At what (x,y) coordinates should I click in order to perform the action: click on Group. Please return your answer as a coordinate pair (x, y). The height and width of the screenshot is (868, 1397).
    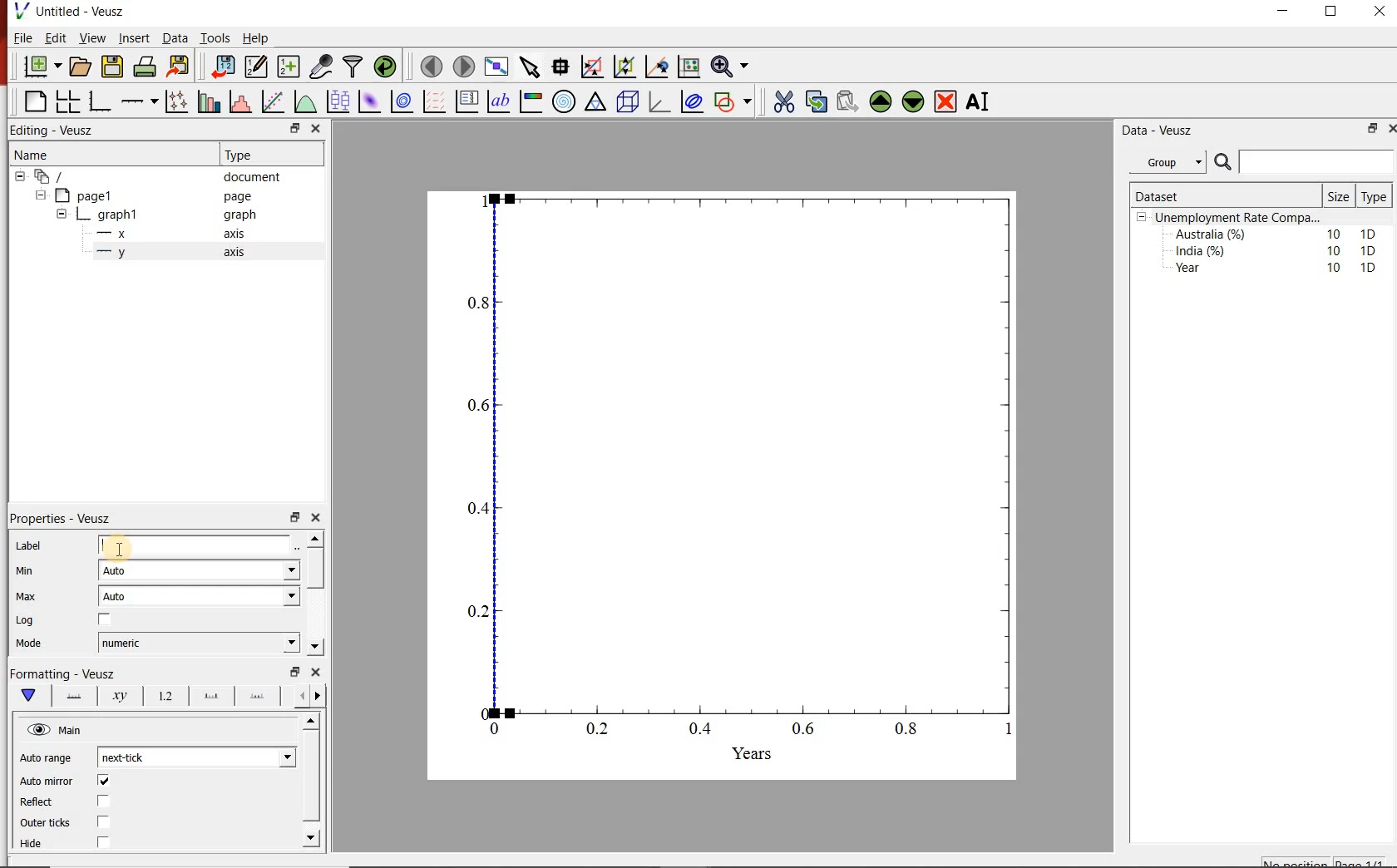
    Looking at the image, I should click on (1170, 162).